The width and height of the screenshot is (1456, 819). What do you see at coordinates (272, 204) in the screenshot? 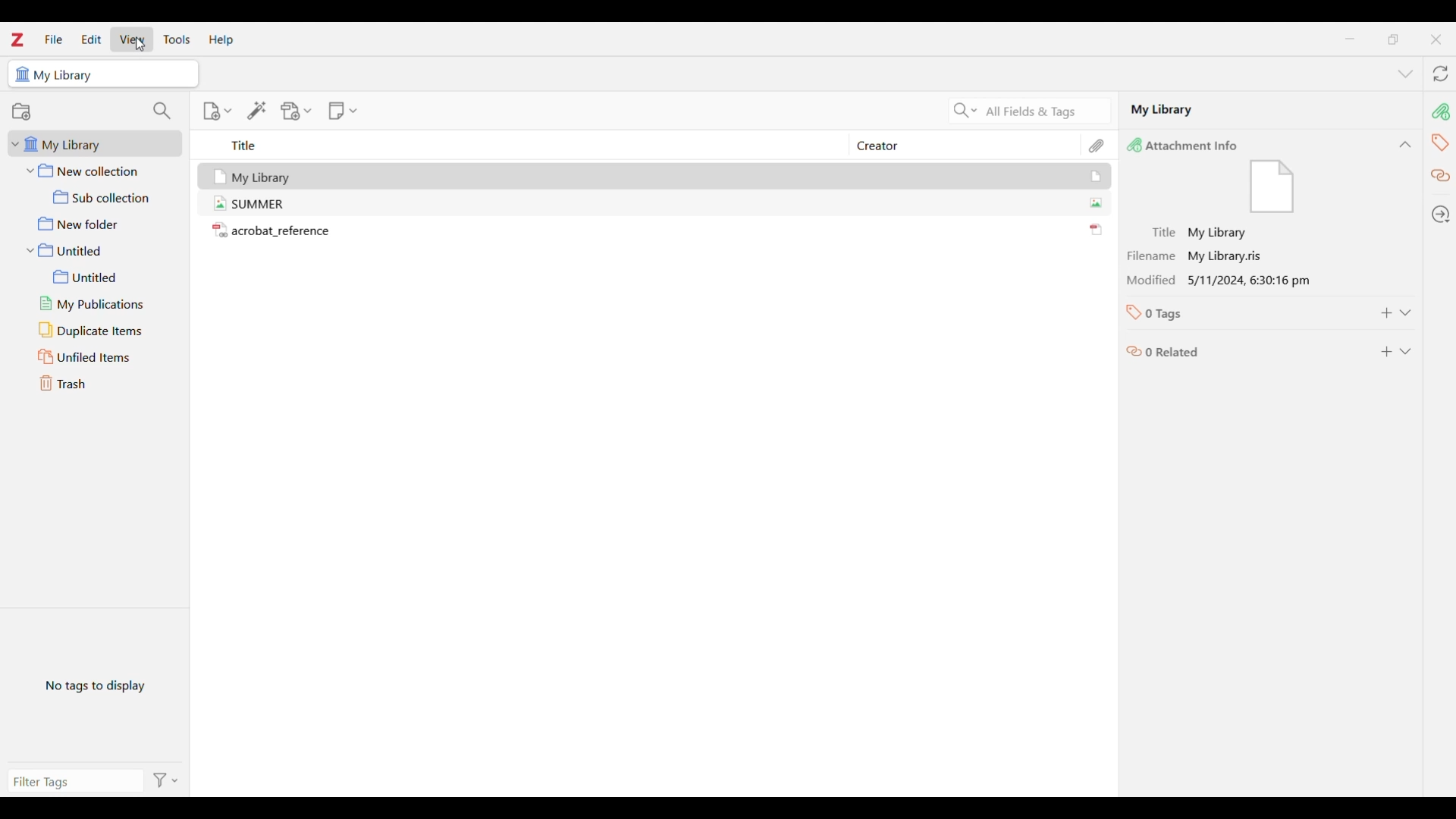
I see `Summer` at bounding box center [272, 204].